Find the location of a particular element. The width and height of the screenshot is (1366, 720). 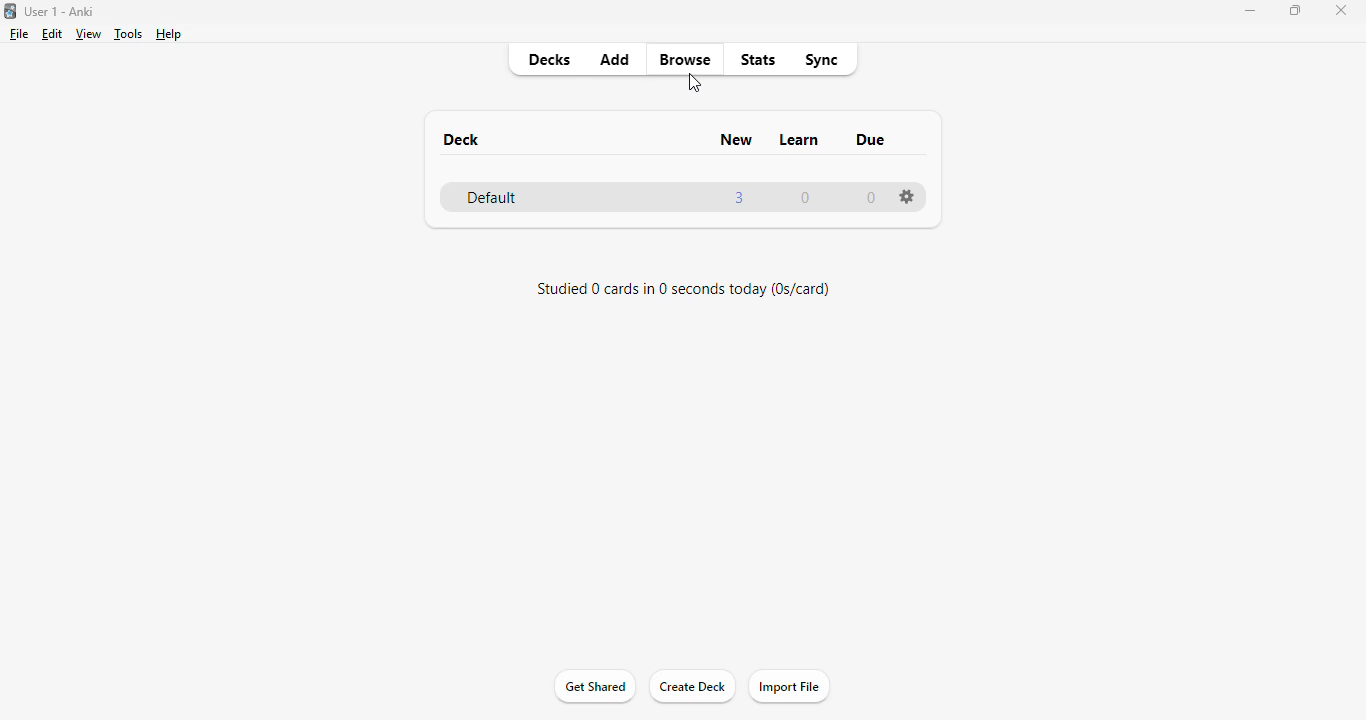

due is located at coordinates (872, 140).